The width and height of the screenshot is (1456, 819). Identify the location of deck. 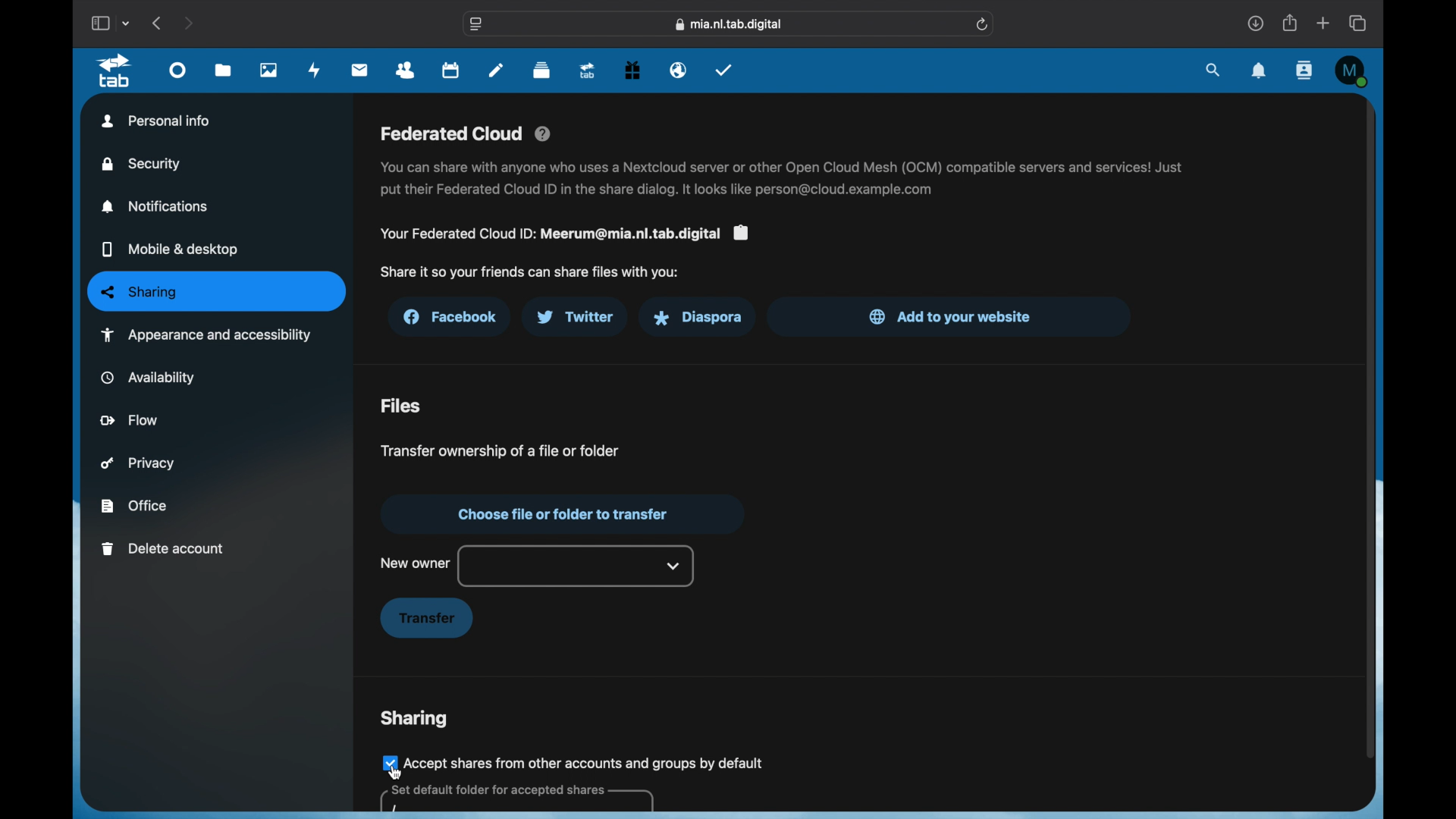
(541, 71).